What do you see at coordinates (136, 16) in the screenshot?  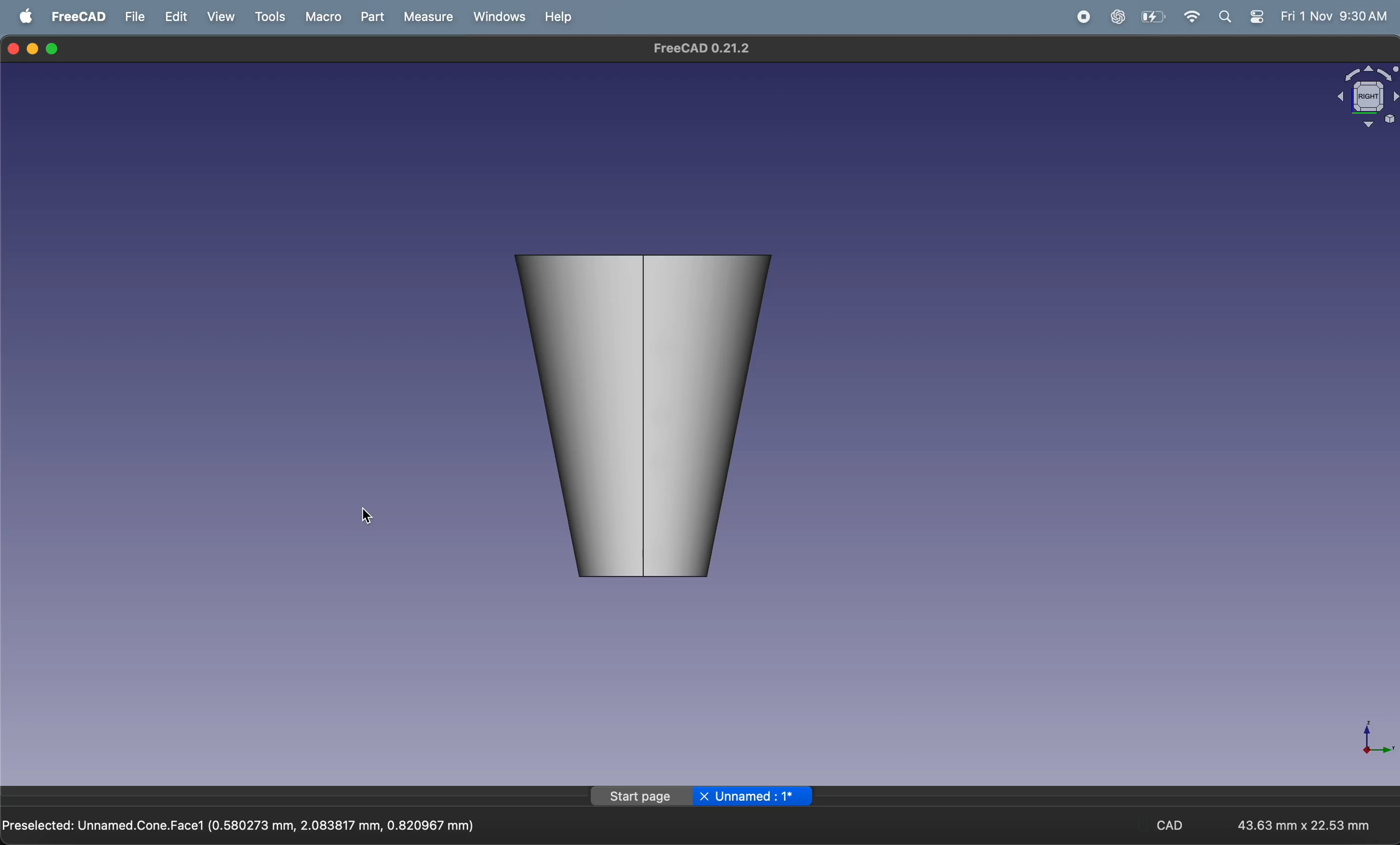 I see `file` at bounding box center [136, 16].